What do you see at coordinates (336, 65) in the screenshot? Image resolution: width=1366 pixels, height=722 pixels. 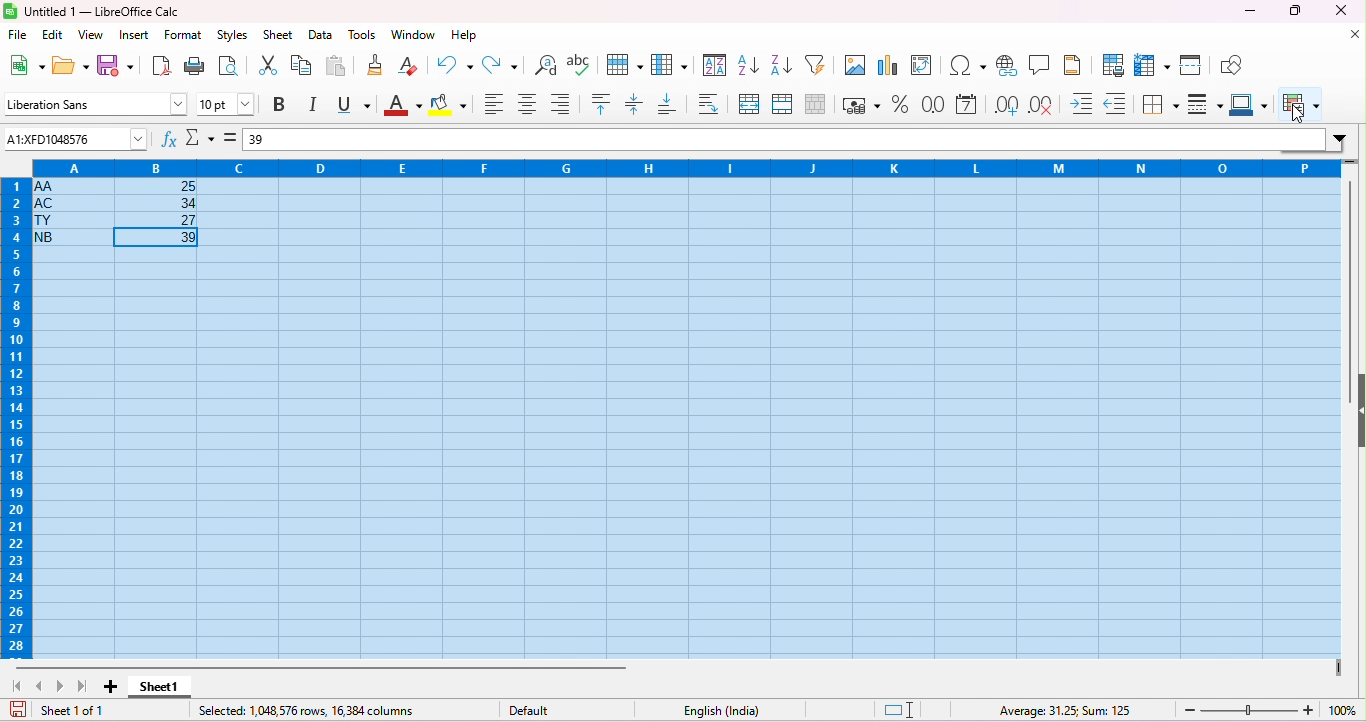 I see `paste` at bounding box center [336, 65].